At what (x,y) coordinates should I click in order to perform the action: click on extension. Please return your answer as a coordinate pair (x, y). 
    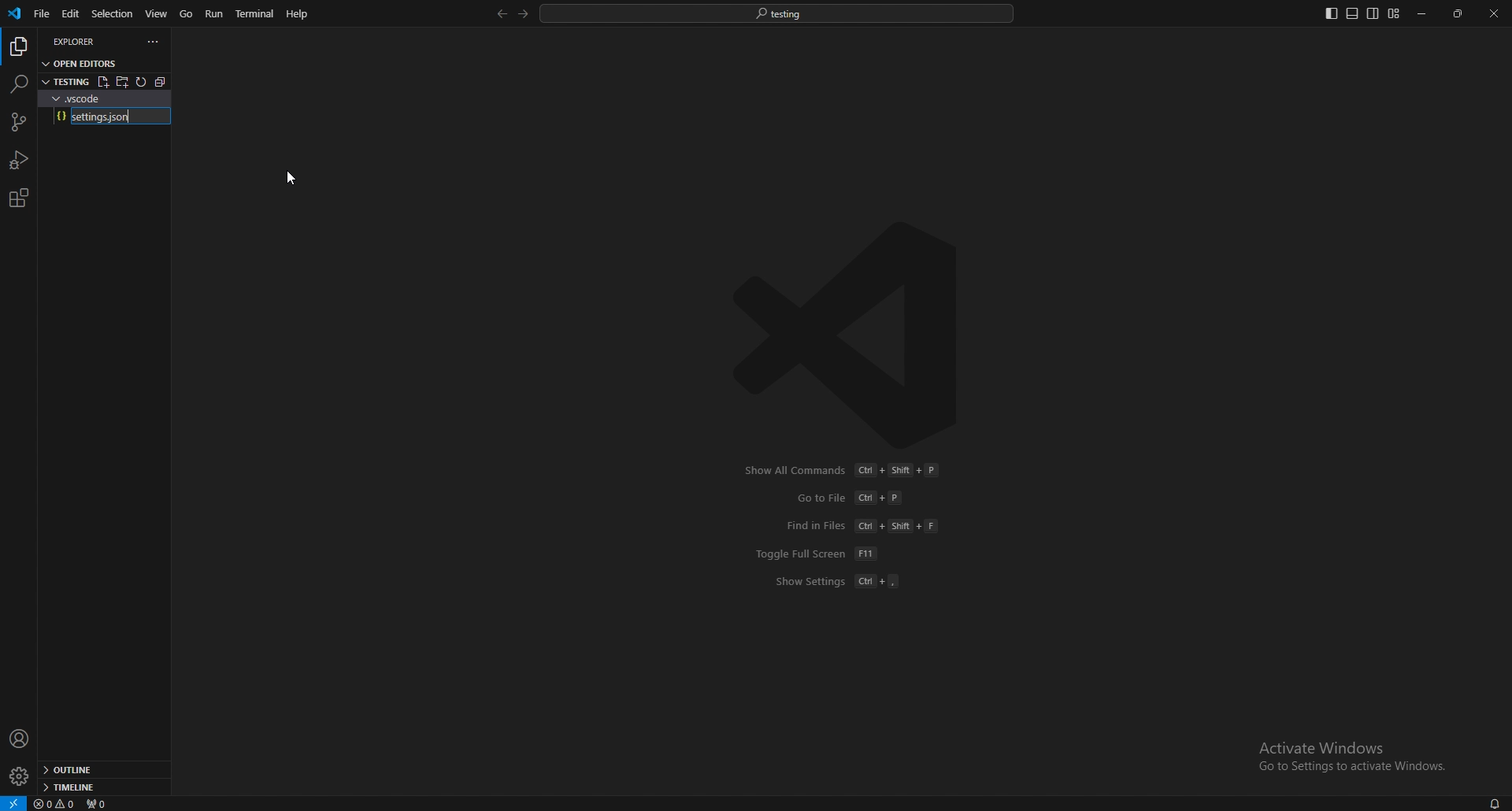
    Looking at the image, I should click on (18, 198).